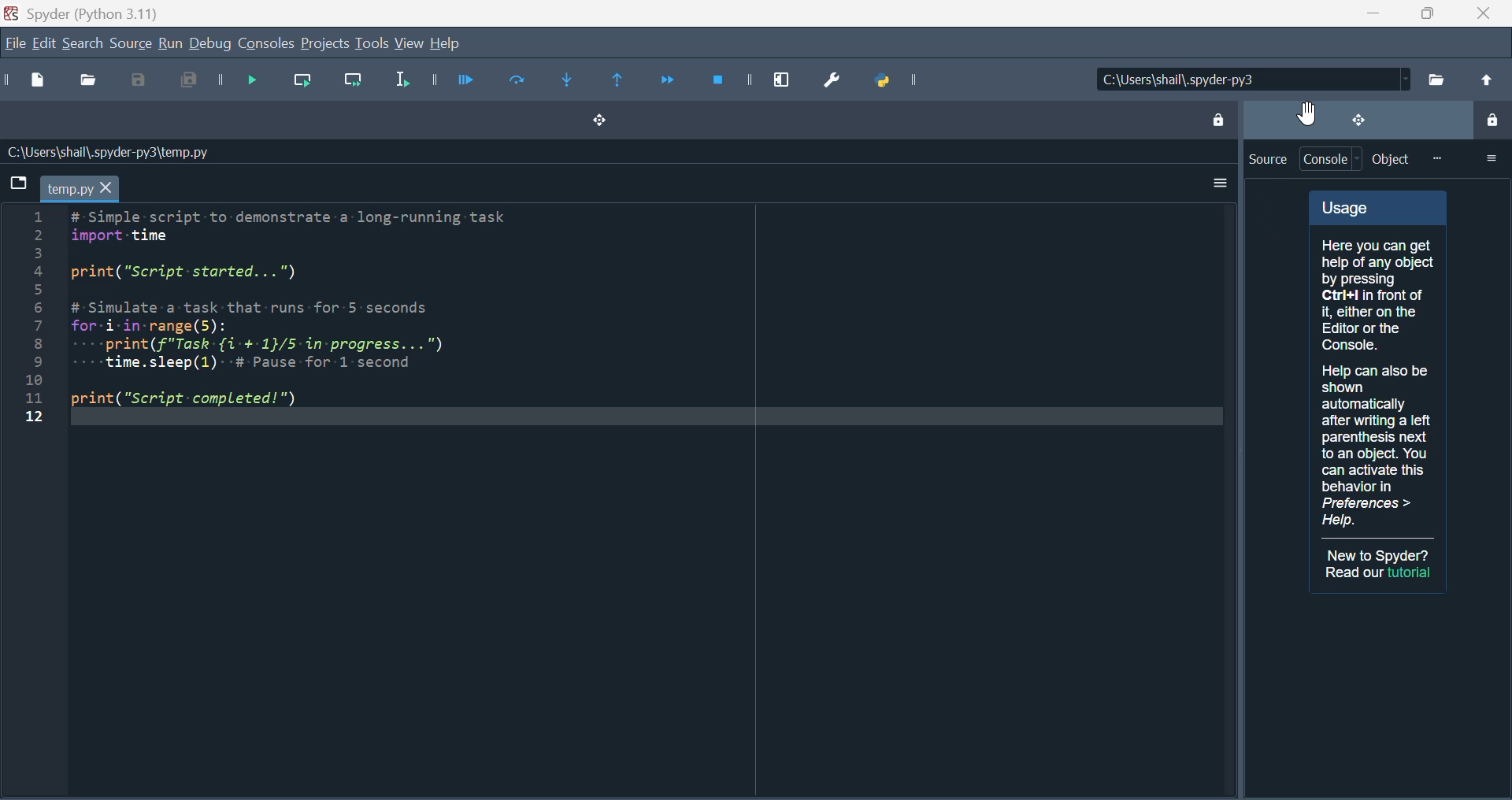  What do you see at coordinates (1354, 572) in the screenshot?
I see `Read our` at bounding box center [1354, 572].